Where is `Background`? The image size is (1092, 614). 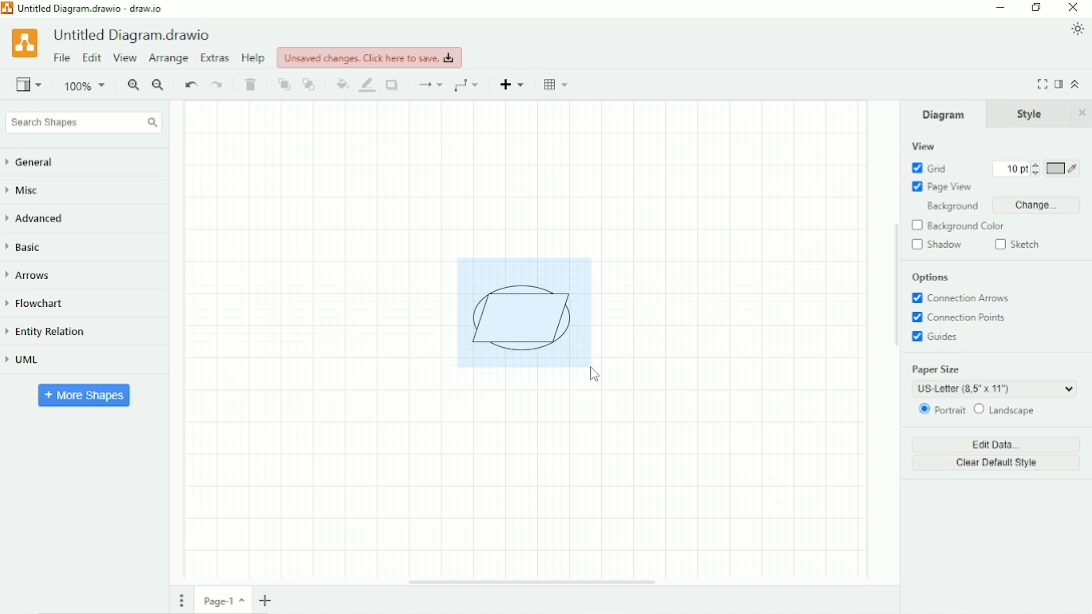
Background is located at coordinates (948, 207).